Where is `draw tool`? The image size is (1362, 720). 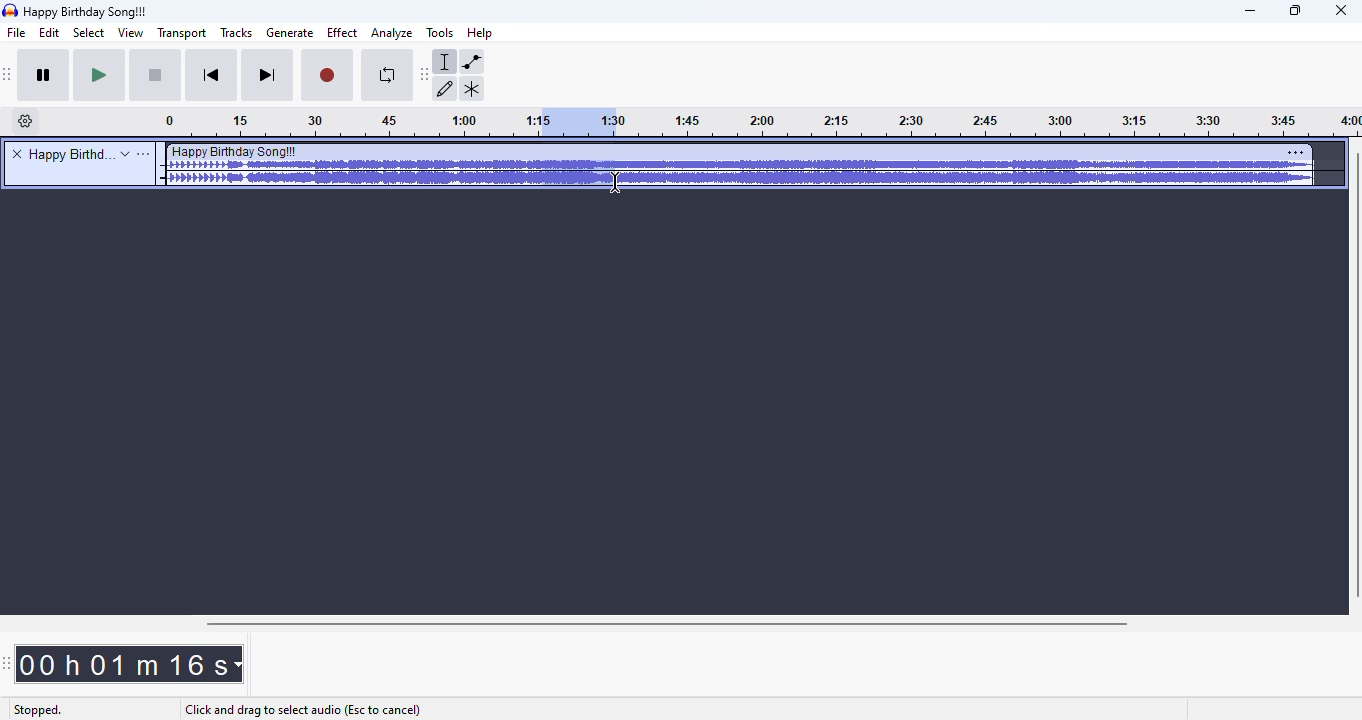
draw tool is located at coordinates (446, 89).